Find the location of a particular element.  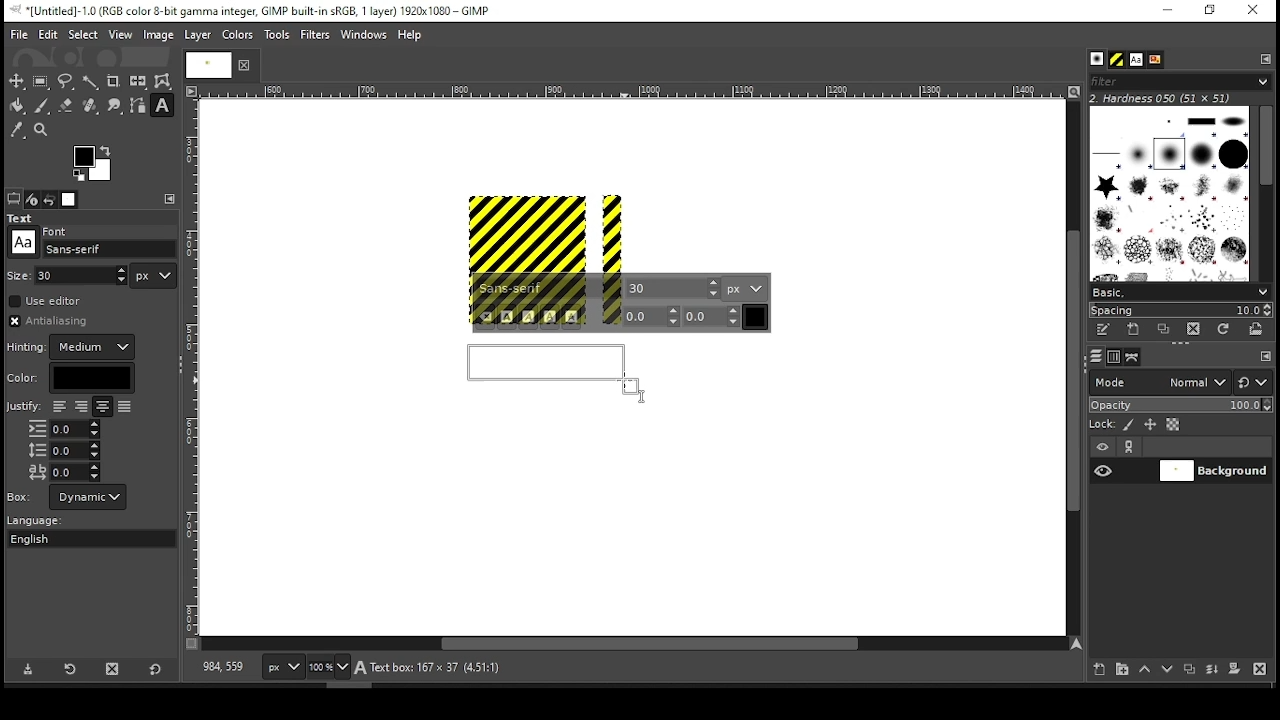

close window is located at coordinates (1252, 11).